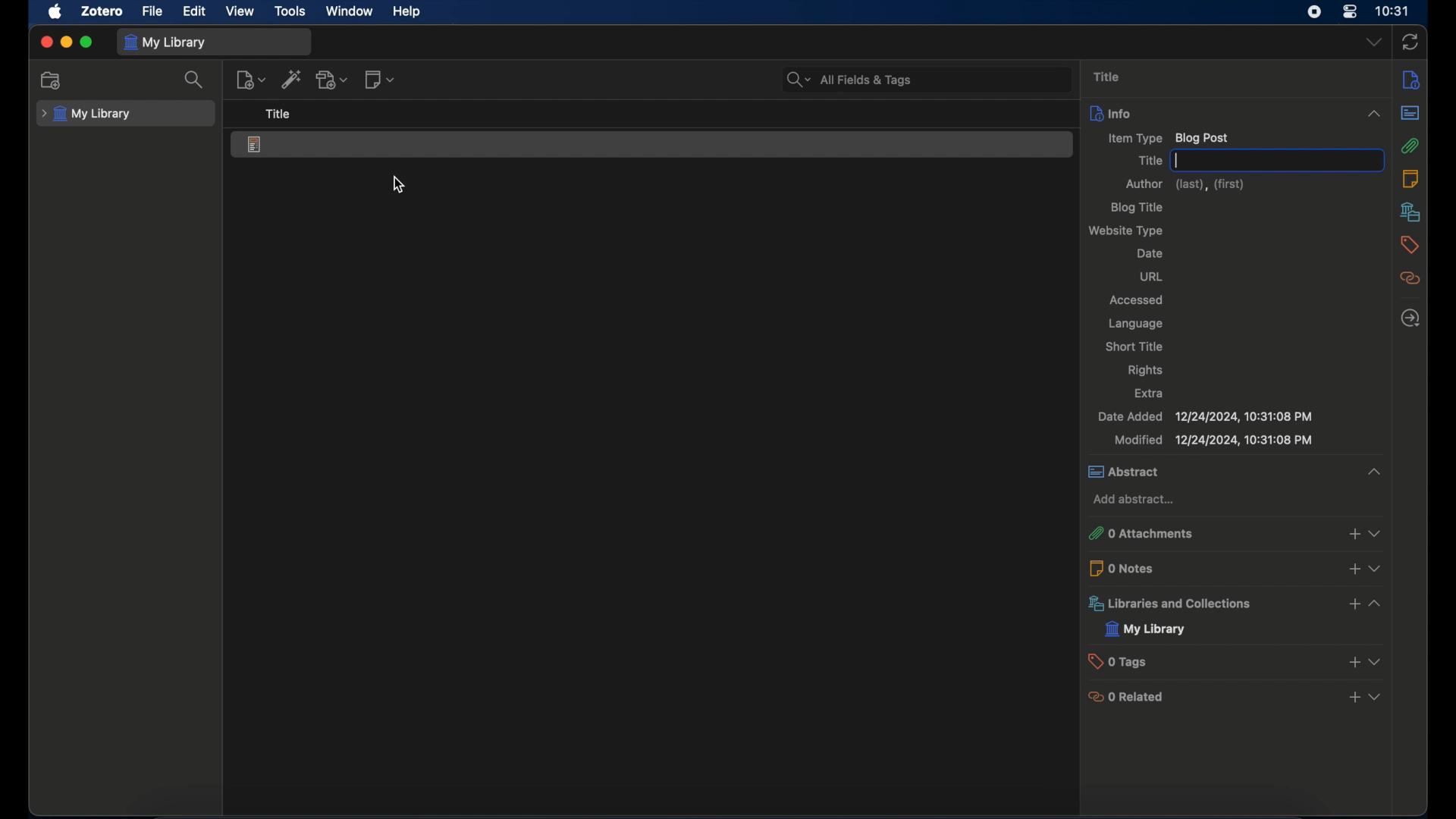 The image size is (1456, 819). What do you see at coordinates (1145, 371) in the screenshot?
I see `rights` at bounding box center [1145, 371].